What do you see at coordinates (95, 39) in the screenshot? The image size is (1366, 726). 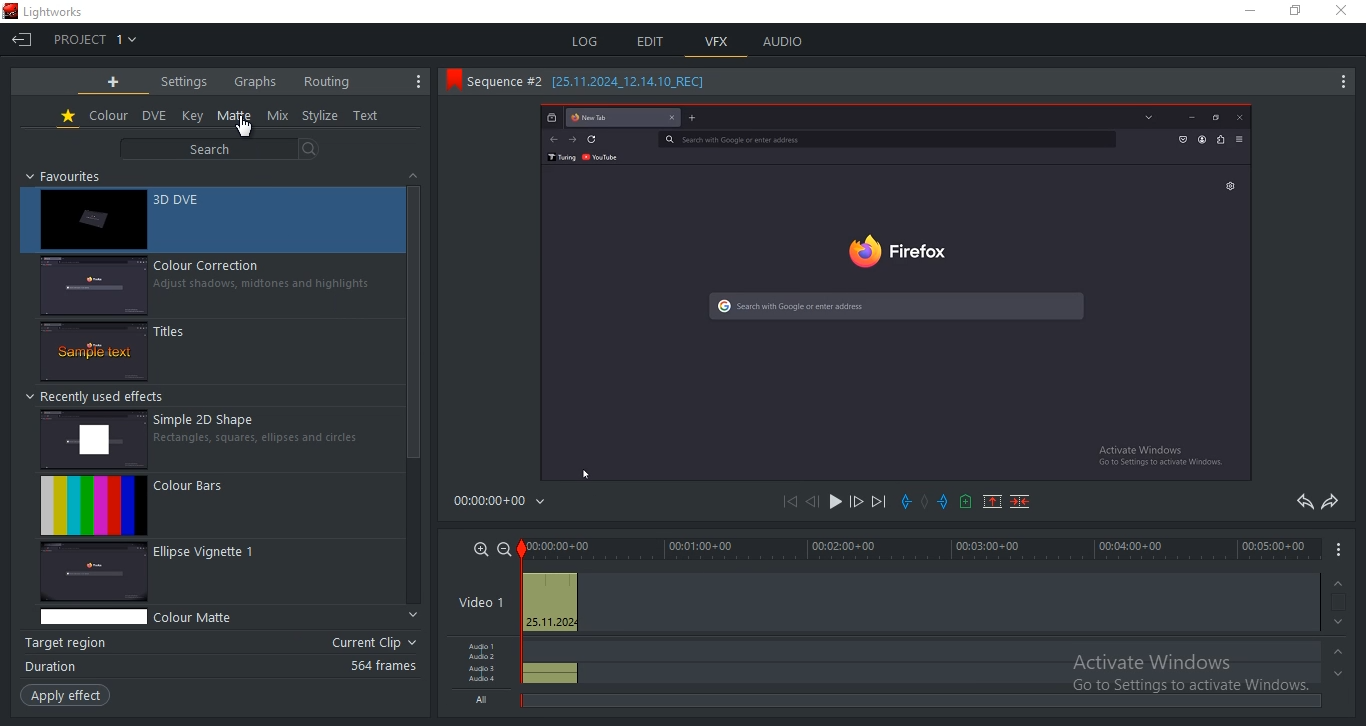 I see `project 1` at bounding box center [95, 39].